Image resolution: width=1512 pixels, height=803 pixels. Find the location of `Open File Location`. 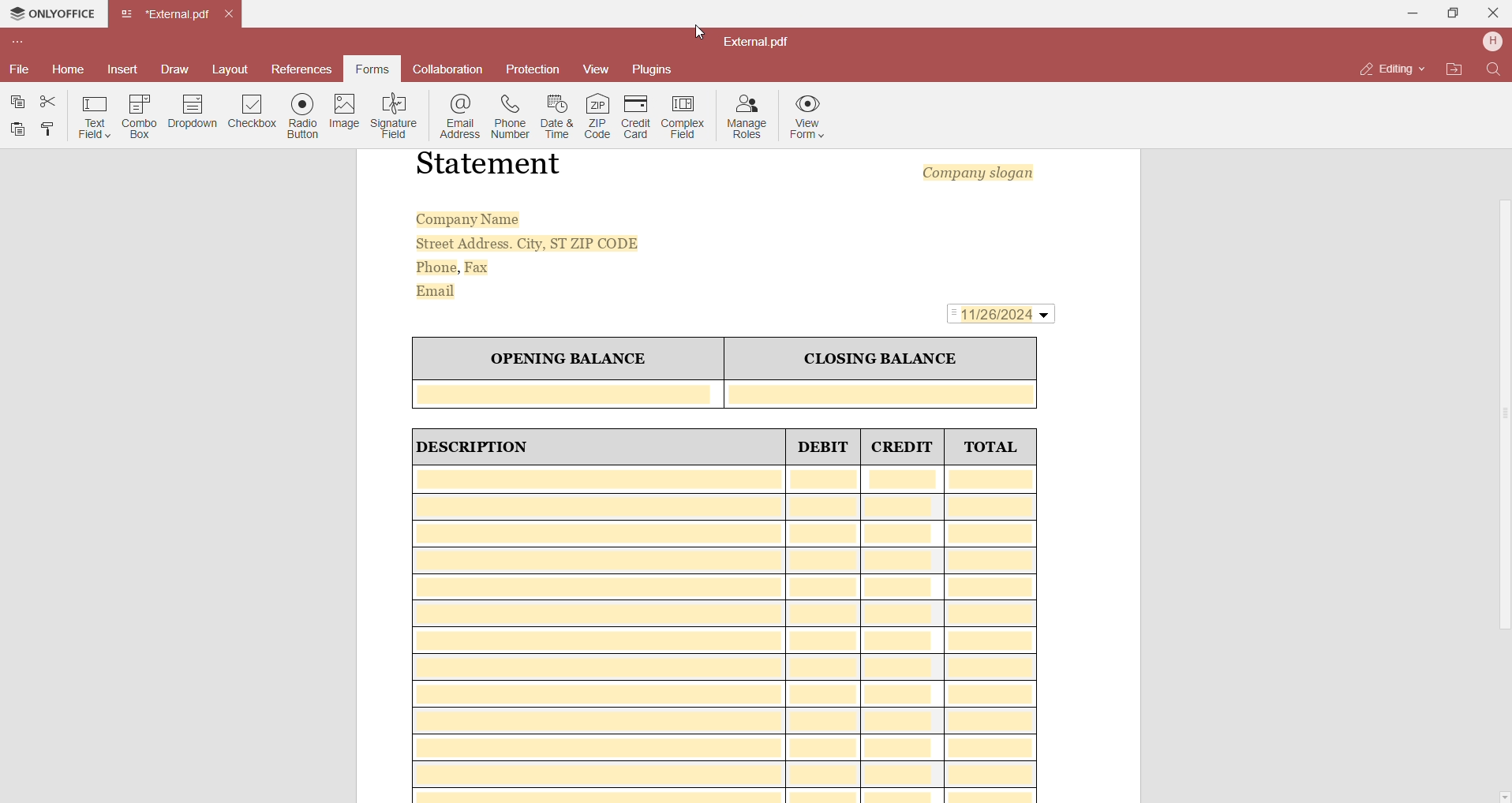

Open File Location is located at coordinates (1454, 69).